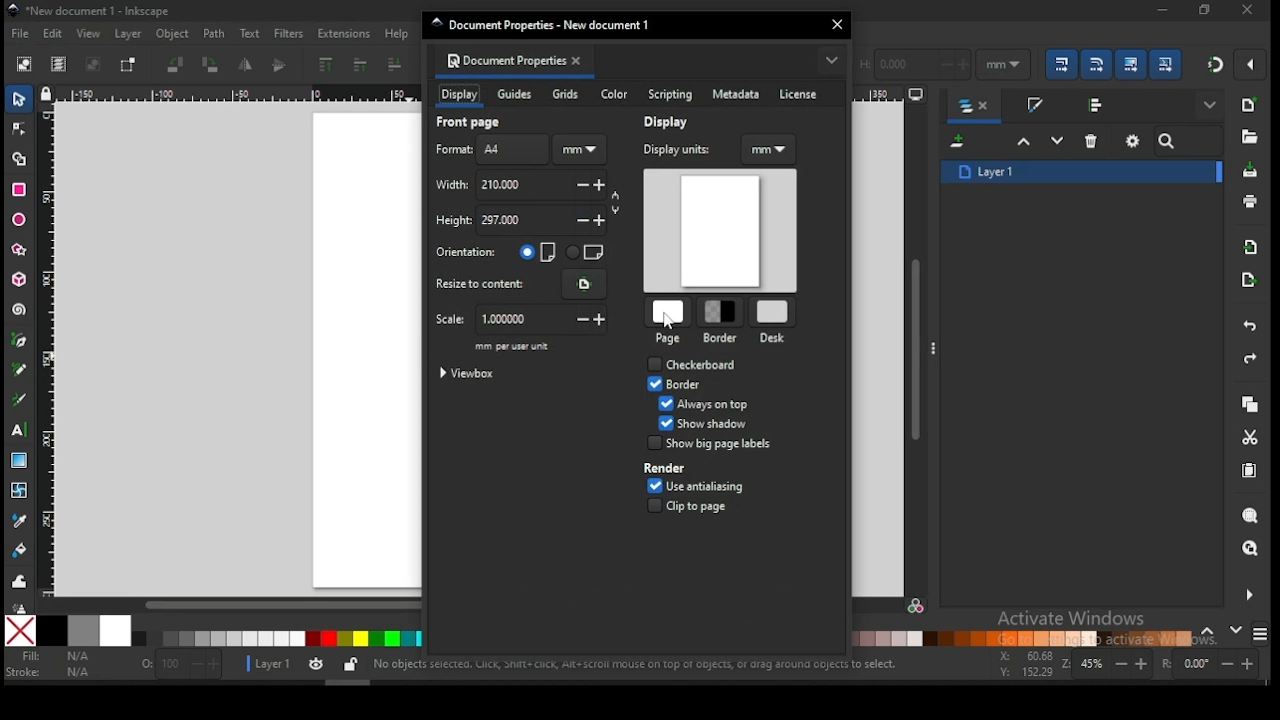  Describe the element at coordinates (1211, 632) in the screenshot. I see `previous` at that location.